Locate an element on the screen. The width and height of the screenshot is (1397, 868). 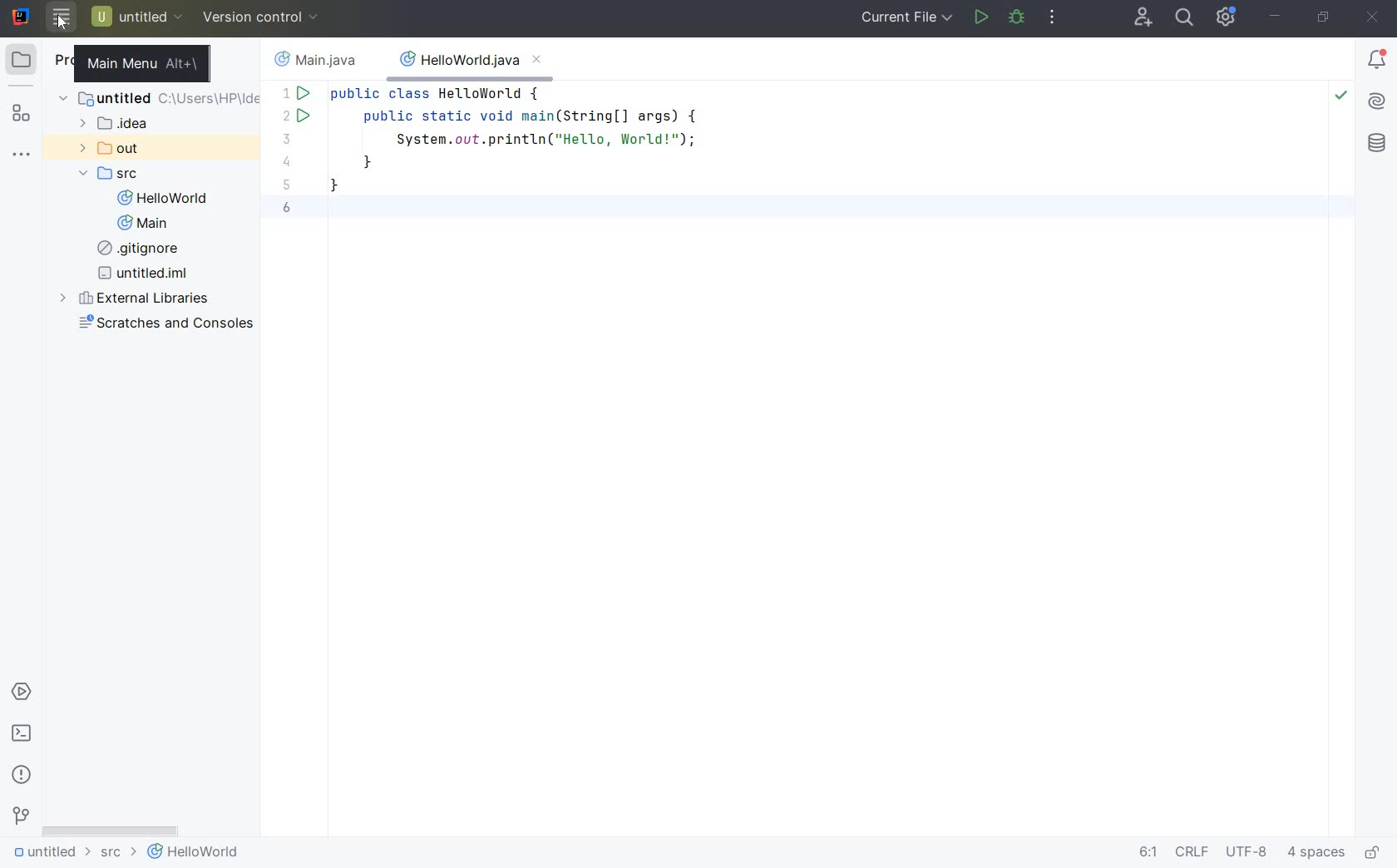
idea is located at coordinates (132, 125).